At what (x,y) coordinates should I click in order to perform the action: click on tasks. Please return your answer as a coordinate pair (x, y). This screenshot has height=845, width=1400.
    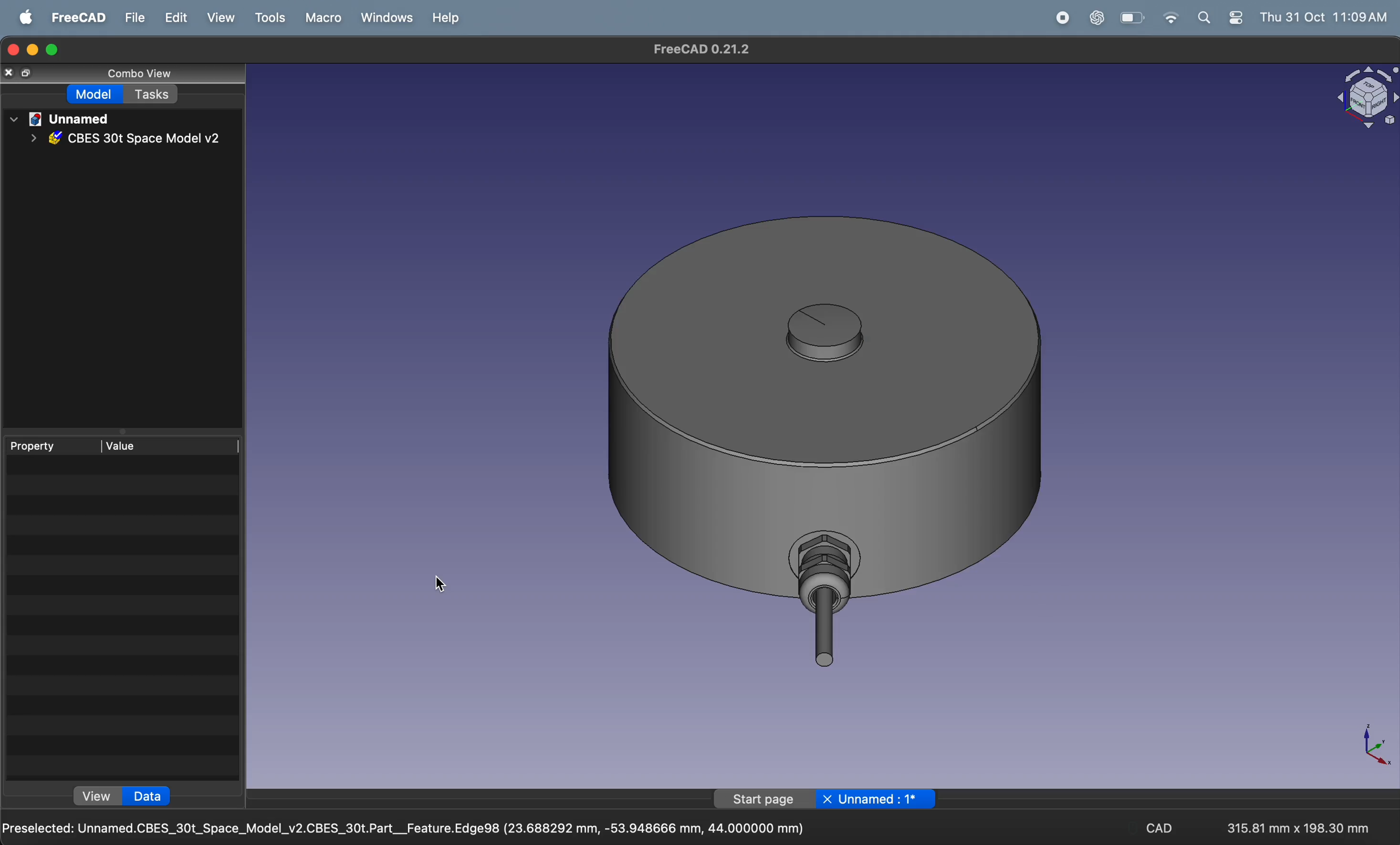
    Looking at the image, I should click on (153, 94).